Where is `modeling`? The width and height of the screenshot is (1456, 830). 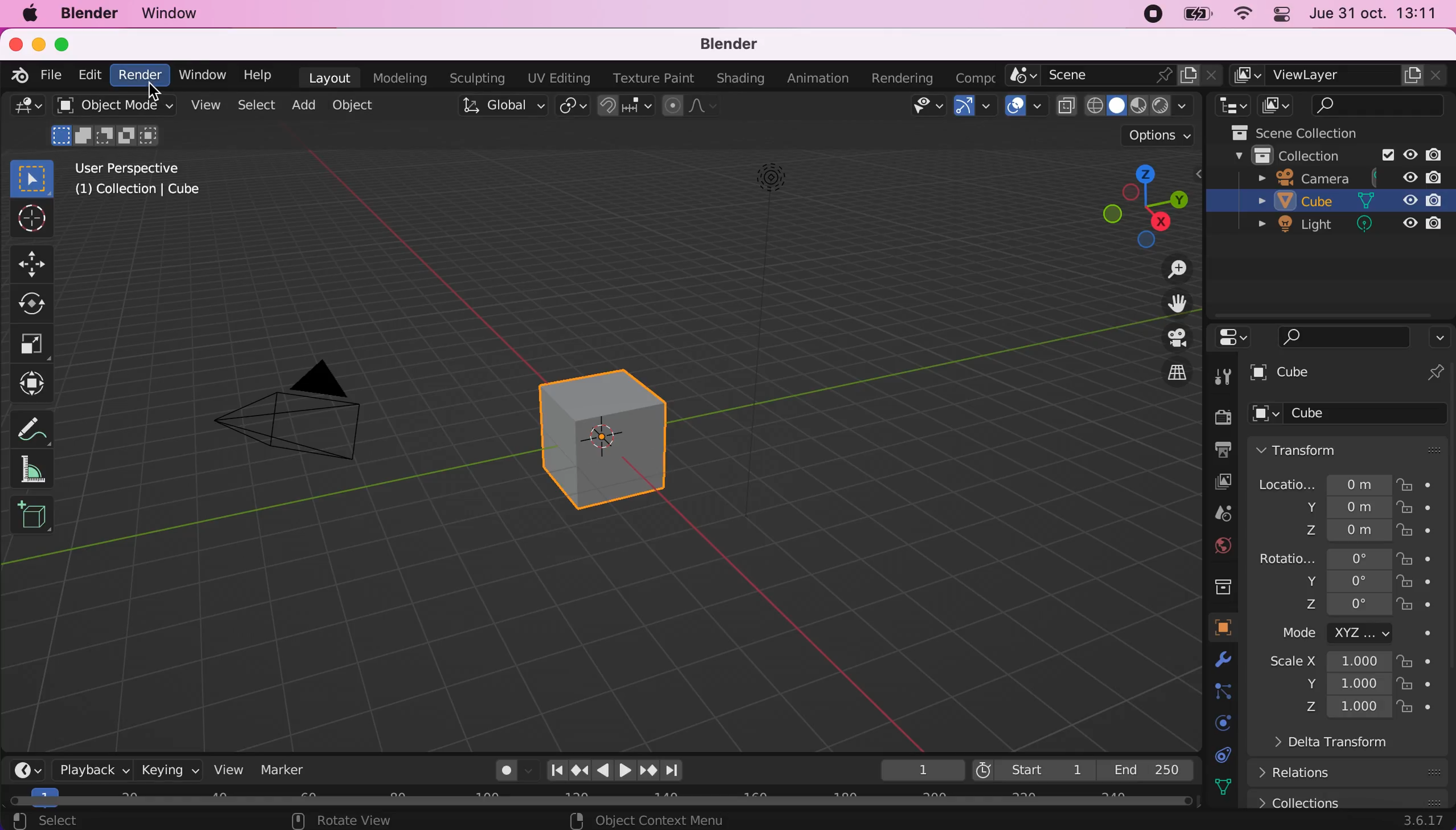 modeling is located at coordinates (401, 78).